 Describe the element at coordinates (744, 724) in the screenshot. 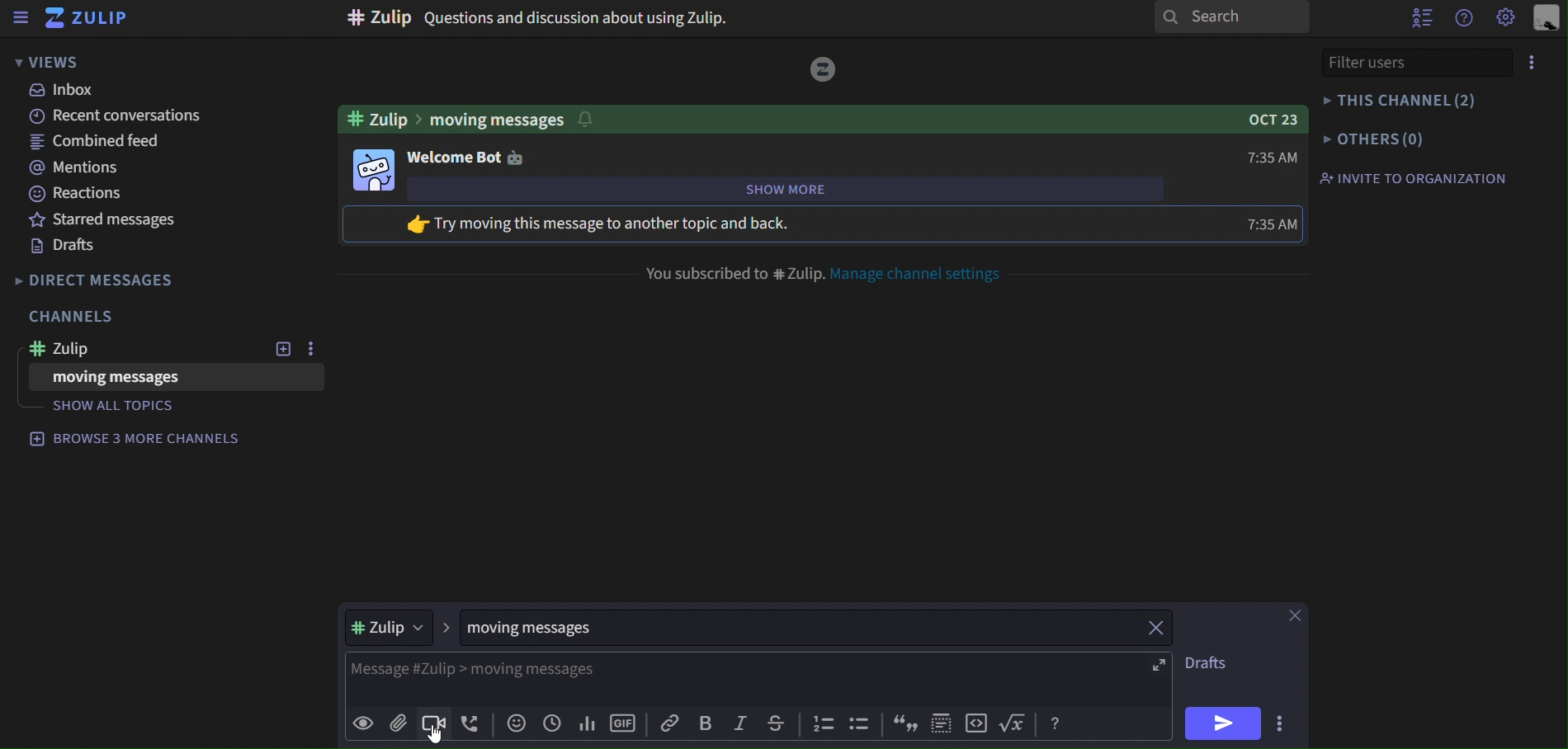

I see `italic` at that location.